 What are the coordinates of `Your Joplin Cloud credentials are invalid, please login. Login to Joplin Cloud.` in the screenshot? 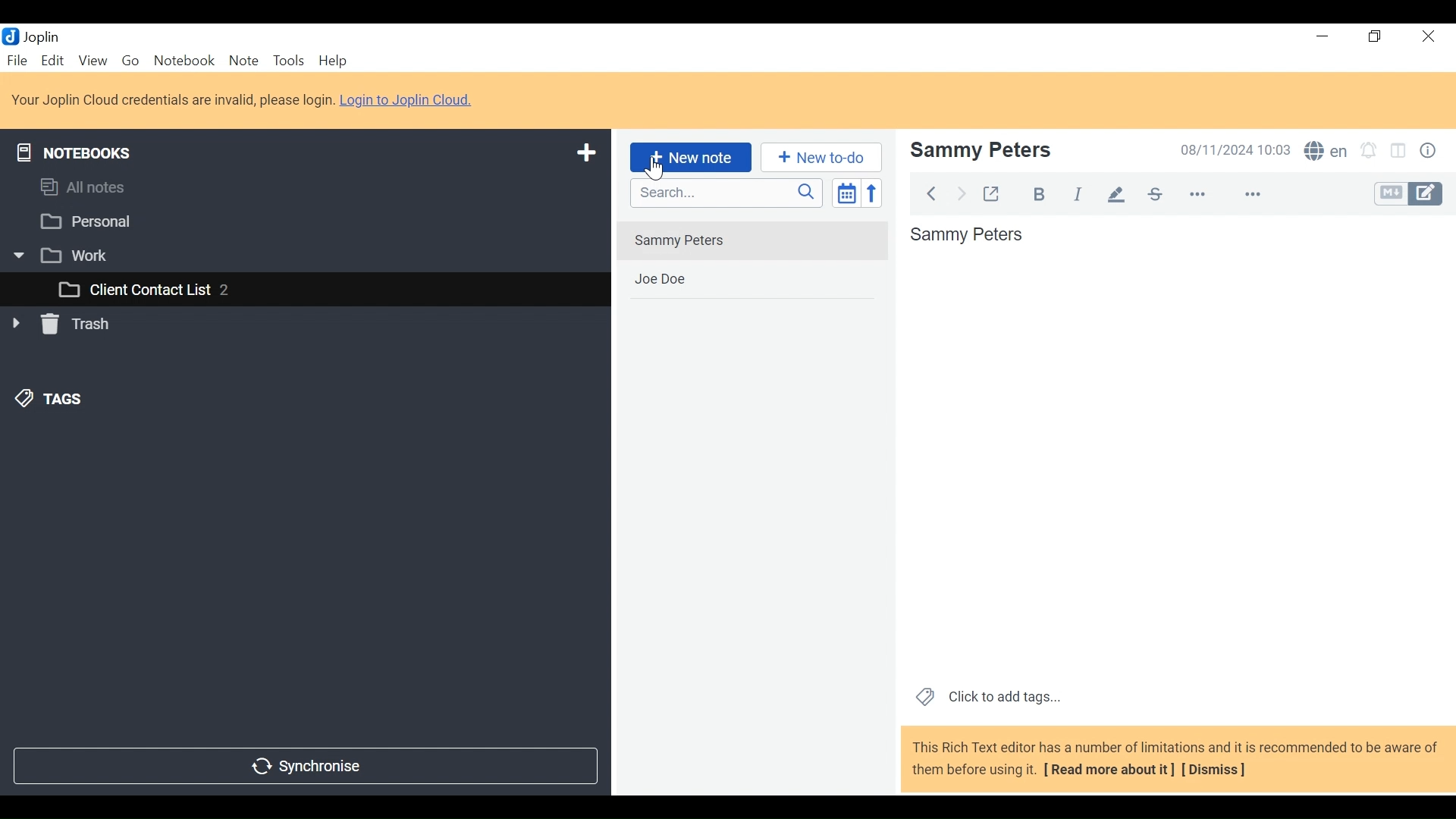 It's located at (245, 99).